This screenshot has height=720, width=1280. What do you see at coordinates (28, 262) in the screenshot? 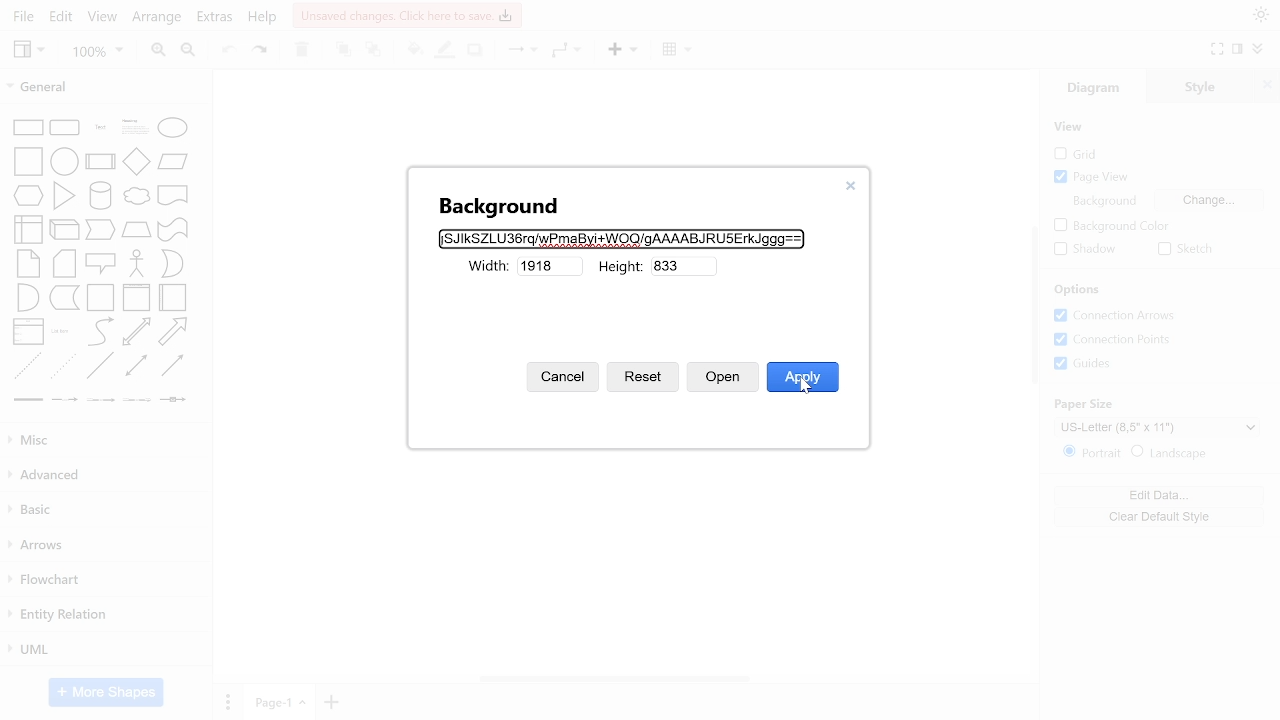
I see `general shapes` at bounding box center [28, 262].